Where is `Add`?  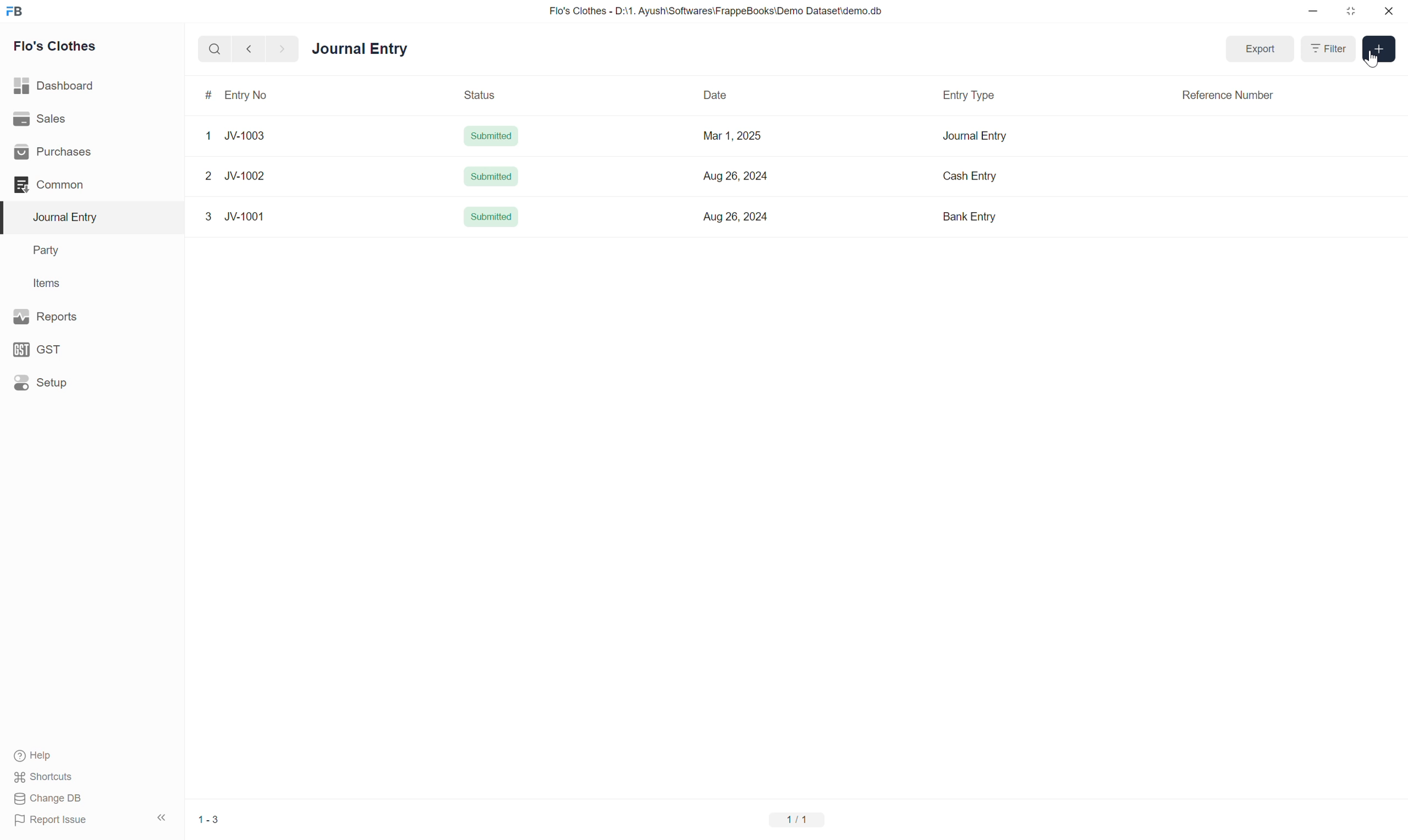 Add is located at coordinates (1379, 50).